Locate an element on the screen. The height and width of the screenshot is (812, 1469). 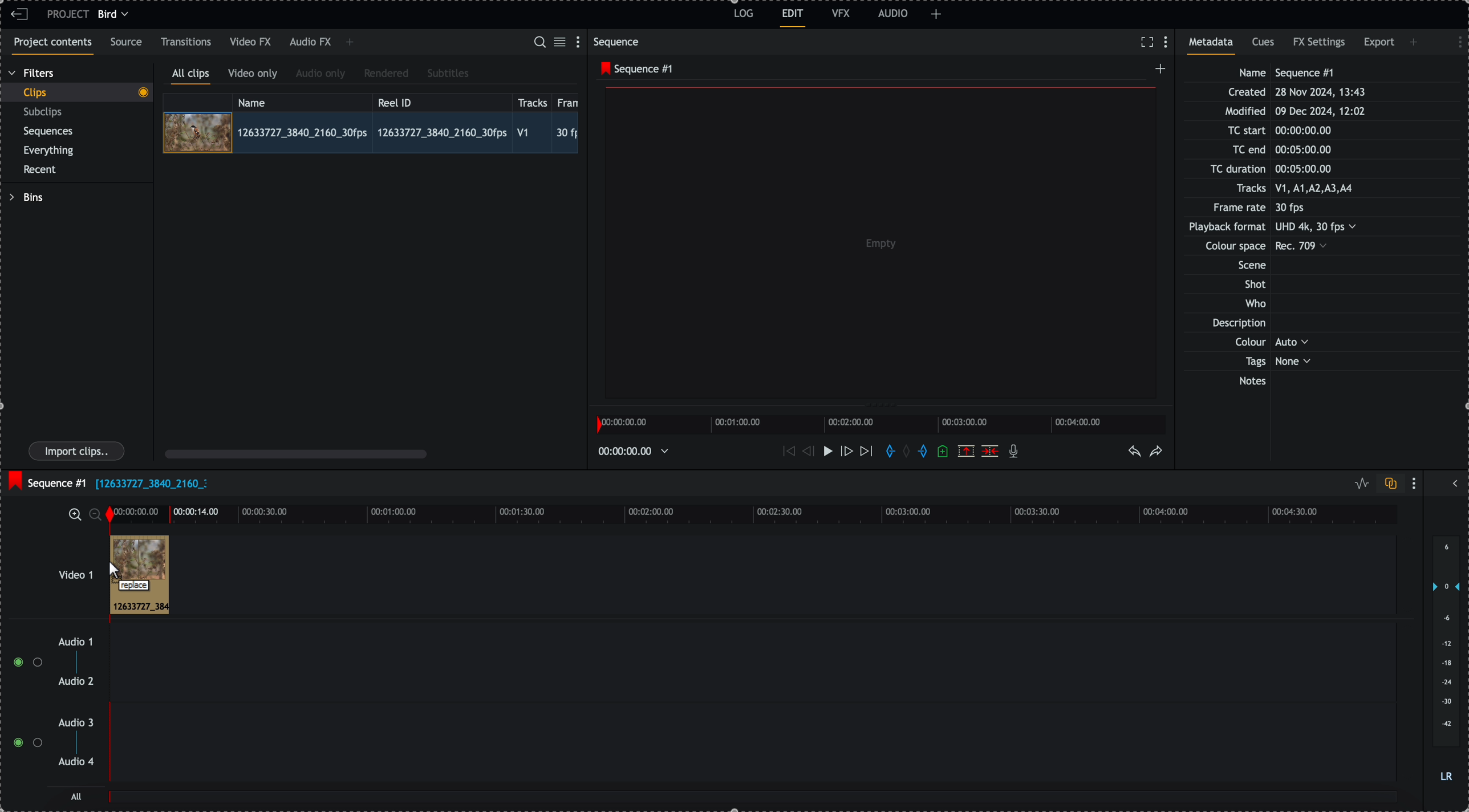
audio 4 is located at coordinates (75, 762).